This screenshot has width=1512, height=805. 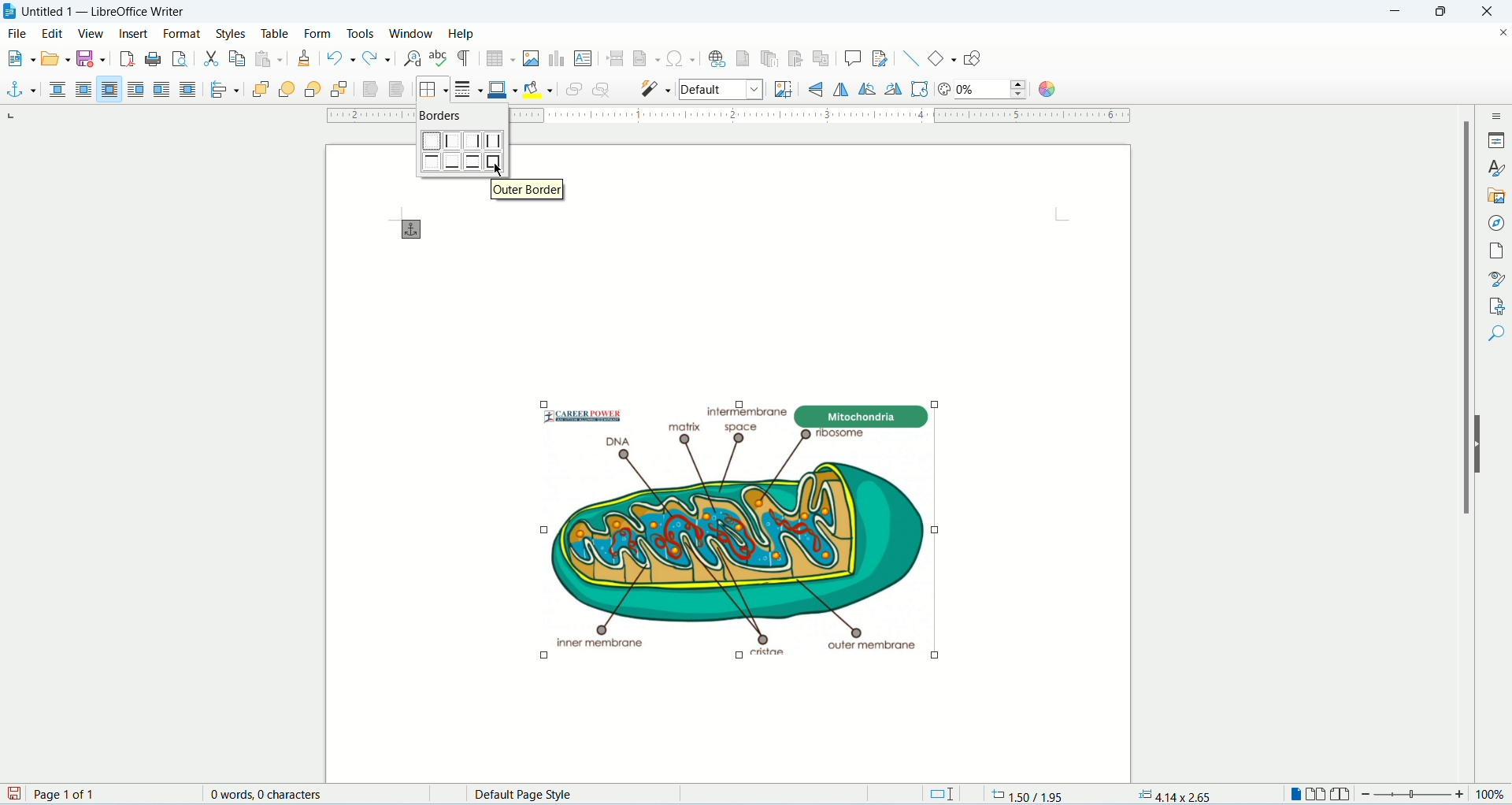 I want to click on 1.50/1.95 4.14x2.65, so click(x=1104, y=793).